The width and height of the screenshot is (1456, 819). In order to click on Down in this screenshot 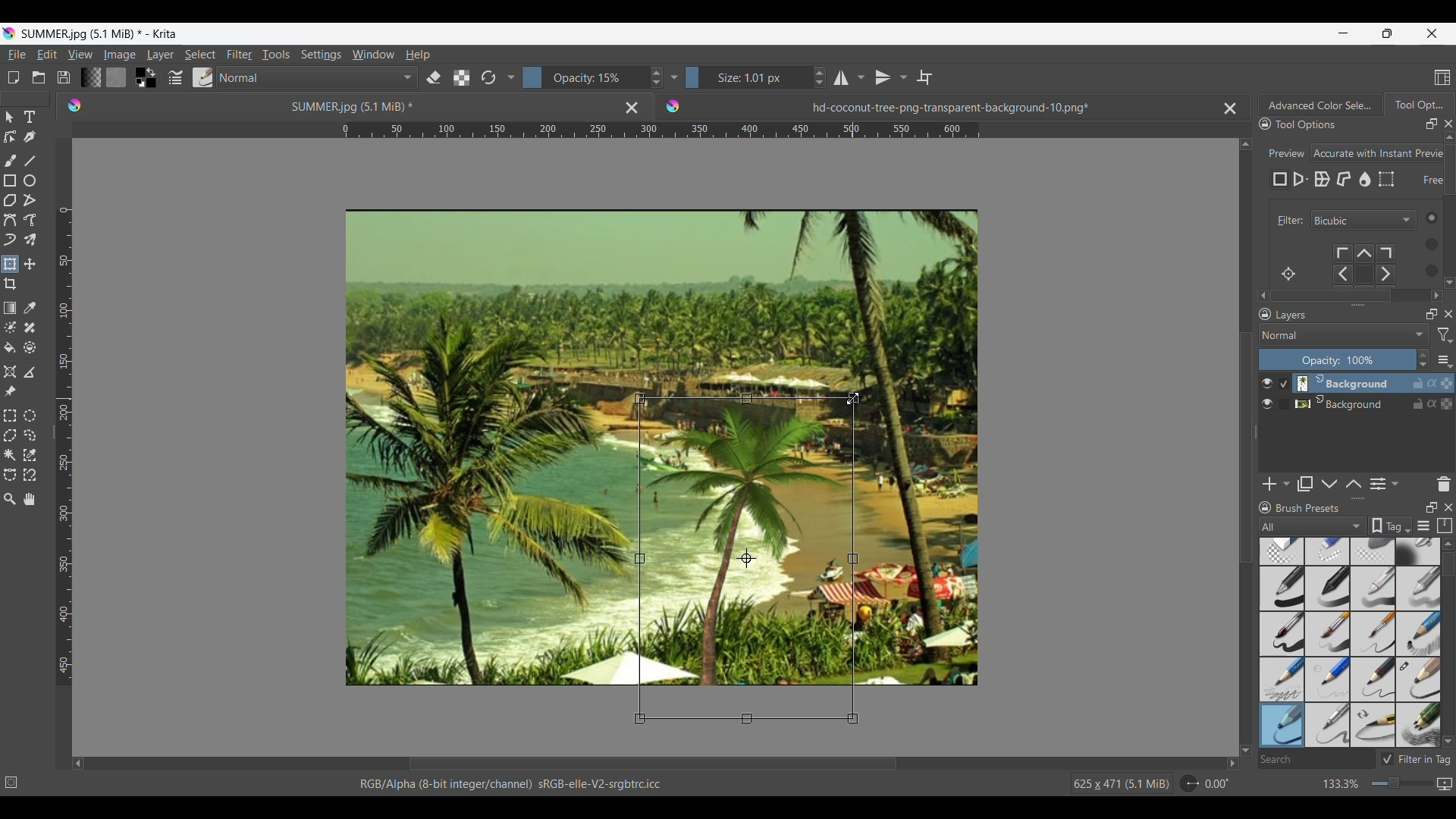, I will do `click(1447, 279)`.